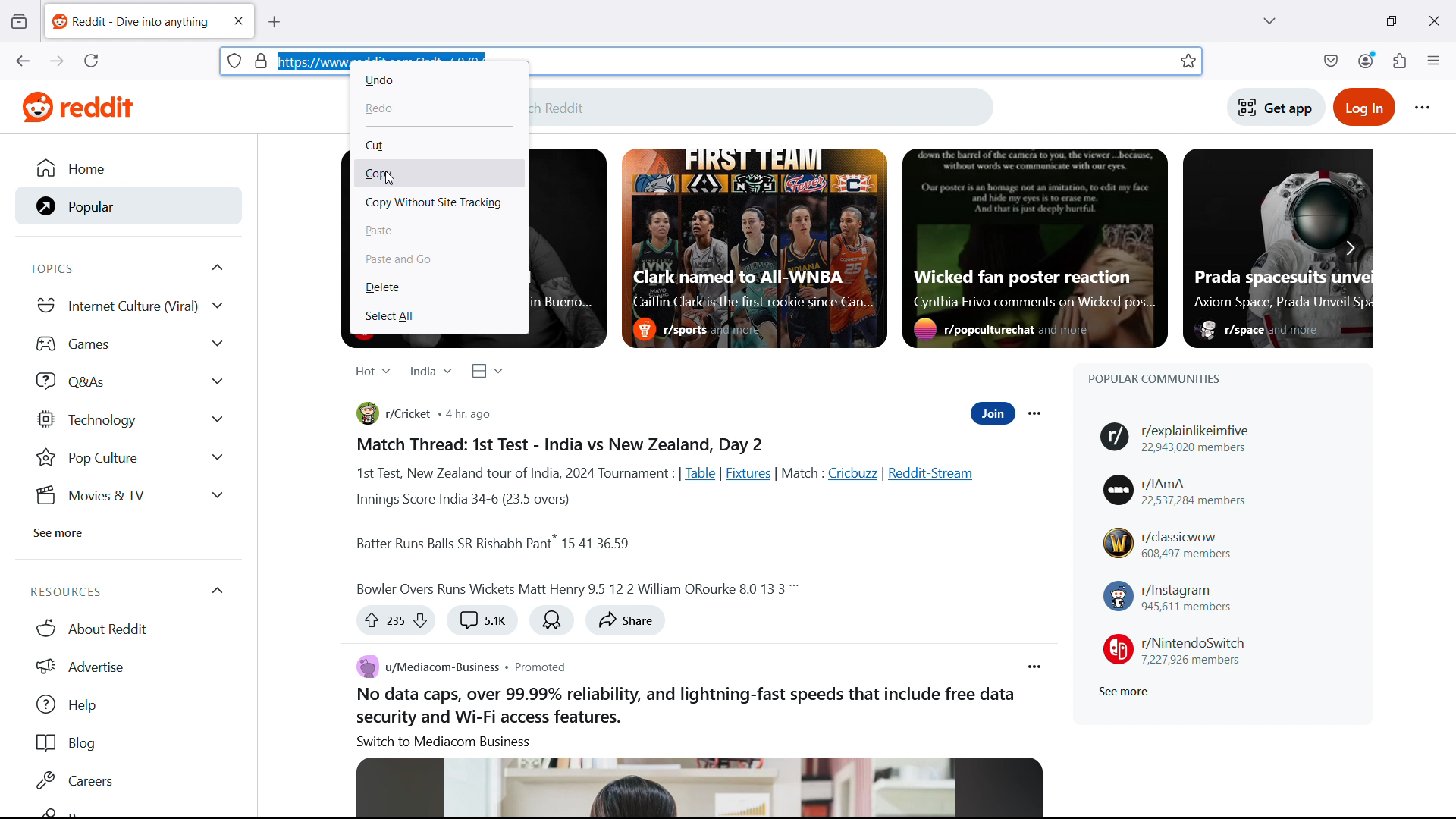 The image size is (1456, 819). What do you see at coordinates (993, 413) in the screenshot?
I see `Join community` at bounding box center [993, 413].